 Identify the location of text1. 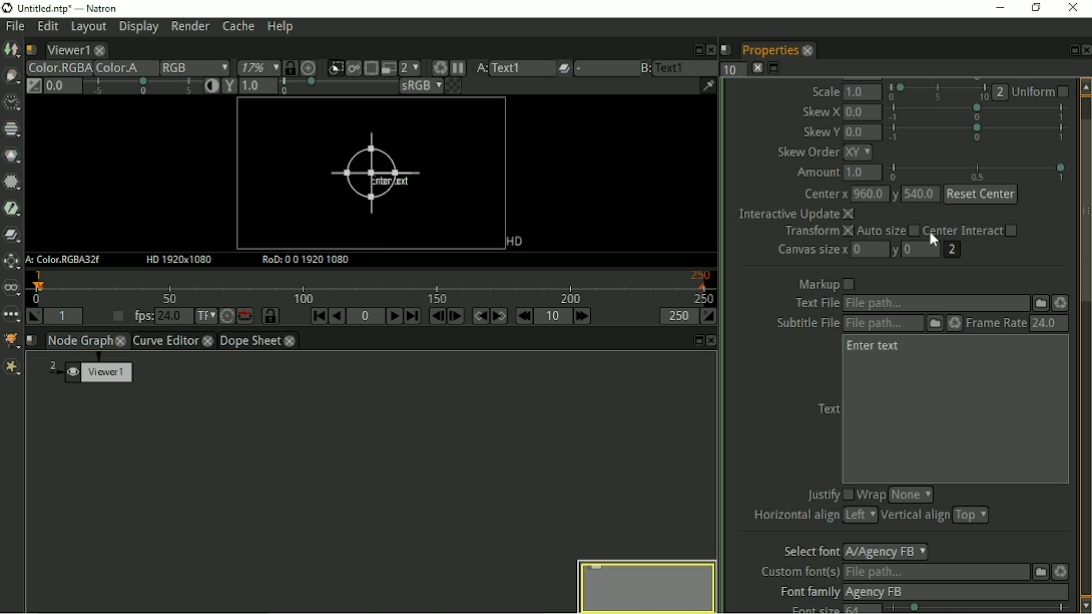
(686, 67).